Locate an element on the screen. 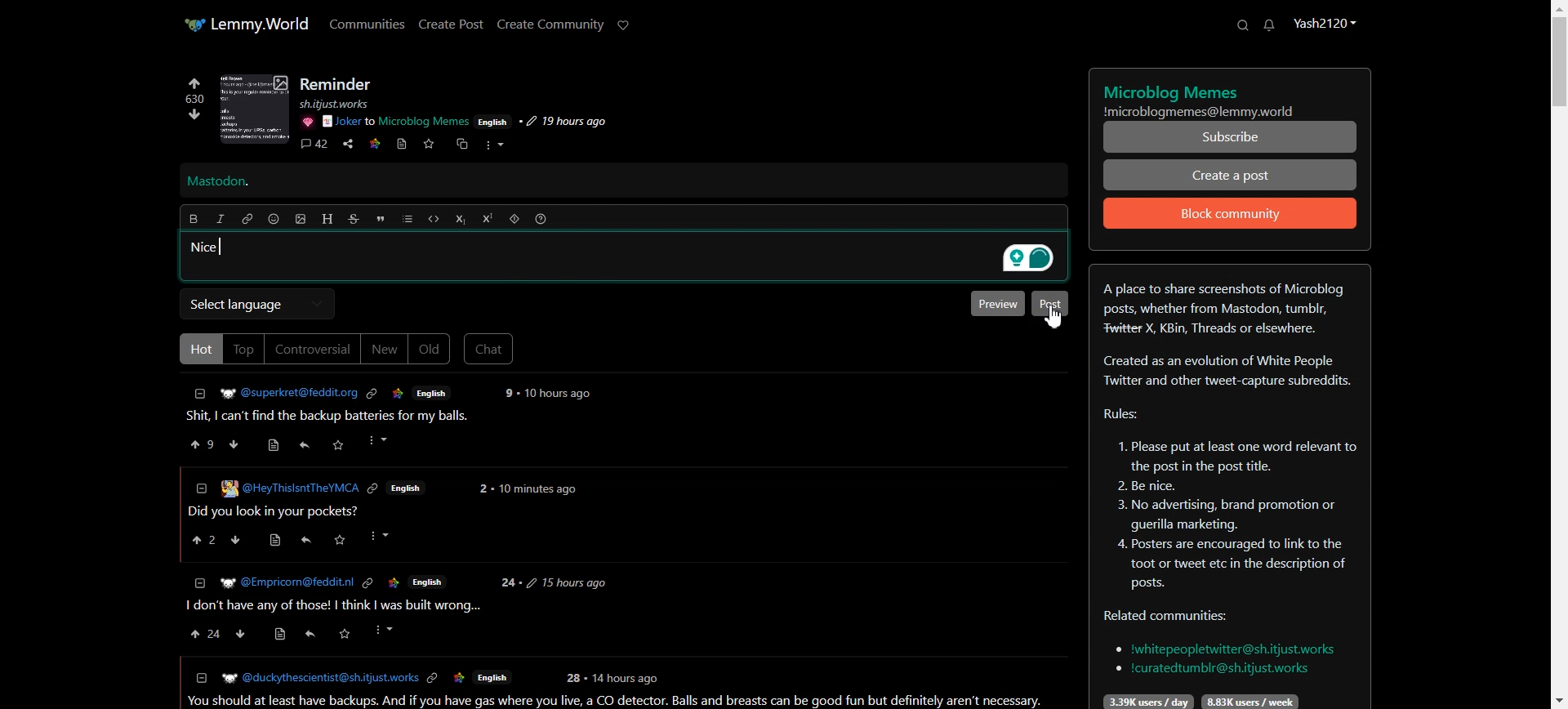 The width and height of the screenshot is (1568, 709). I don’t have any of those! | think | was built wrong... is located at coordinates (332, 606).